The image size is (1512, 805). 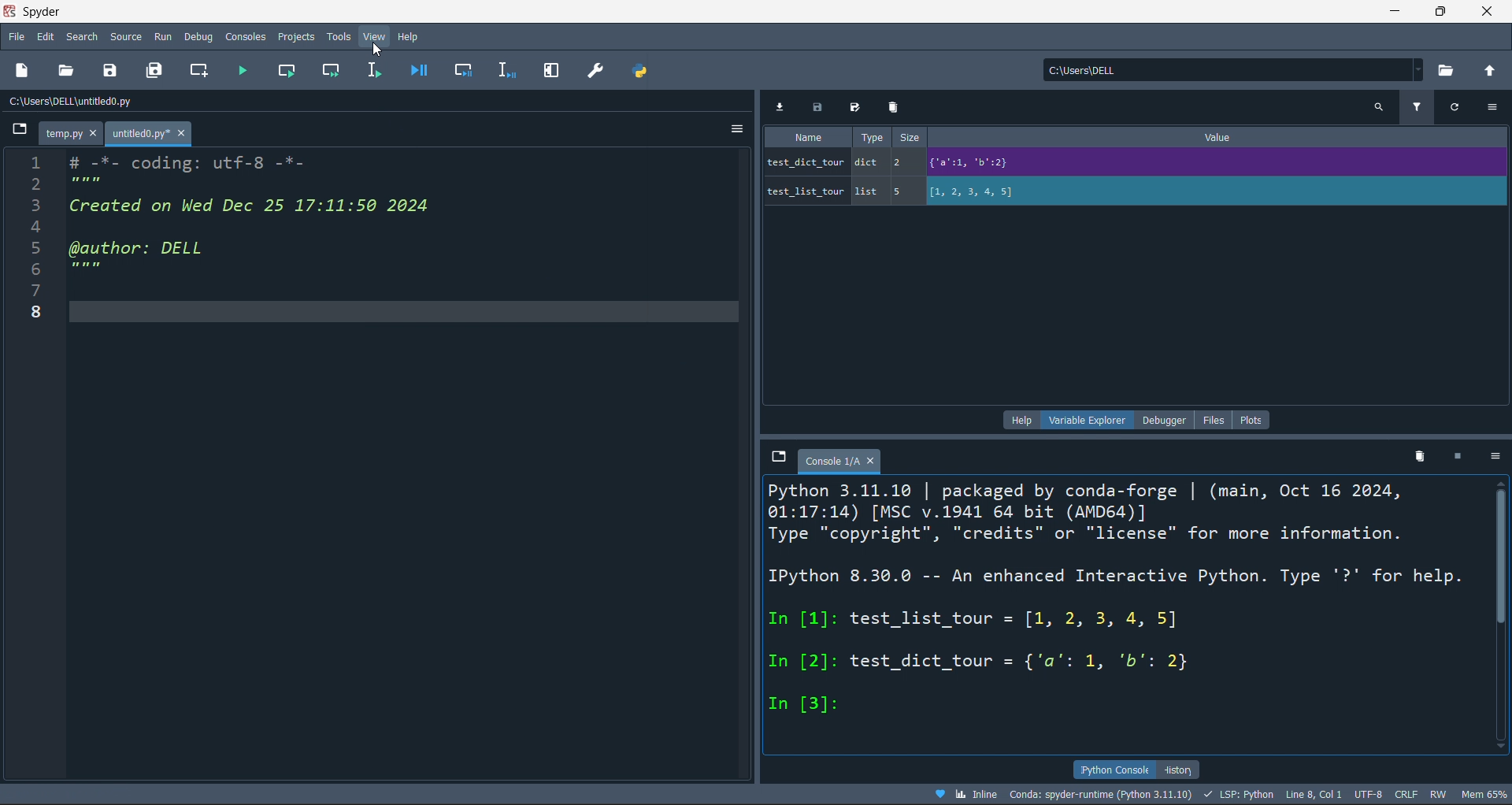 What do you see at coordinates (246, 37) in the screenshot?
I see `console` at bounding box center [246, 37].